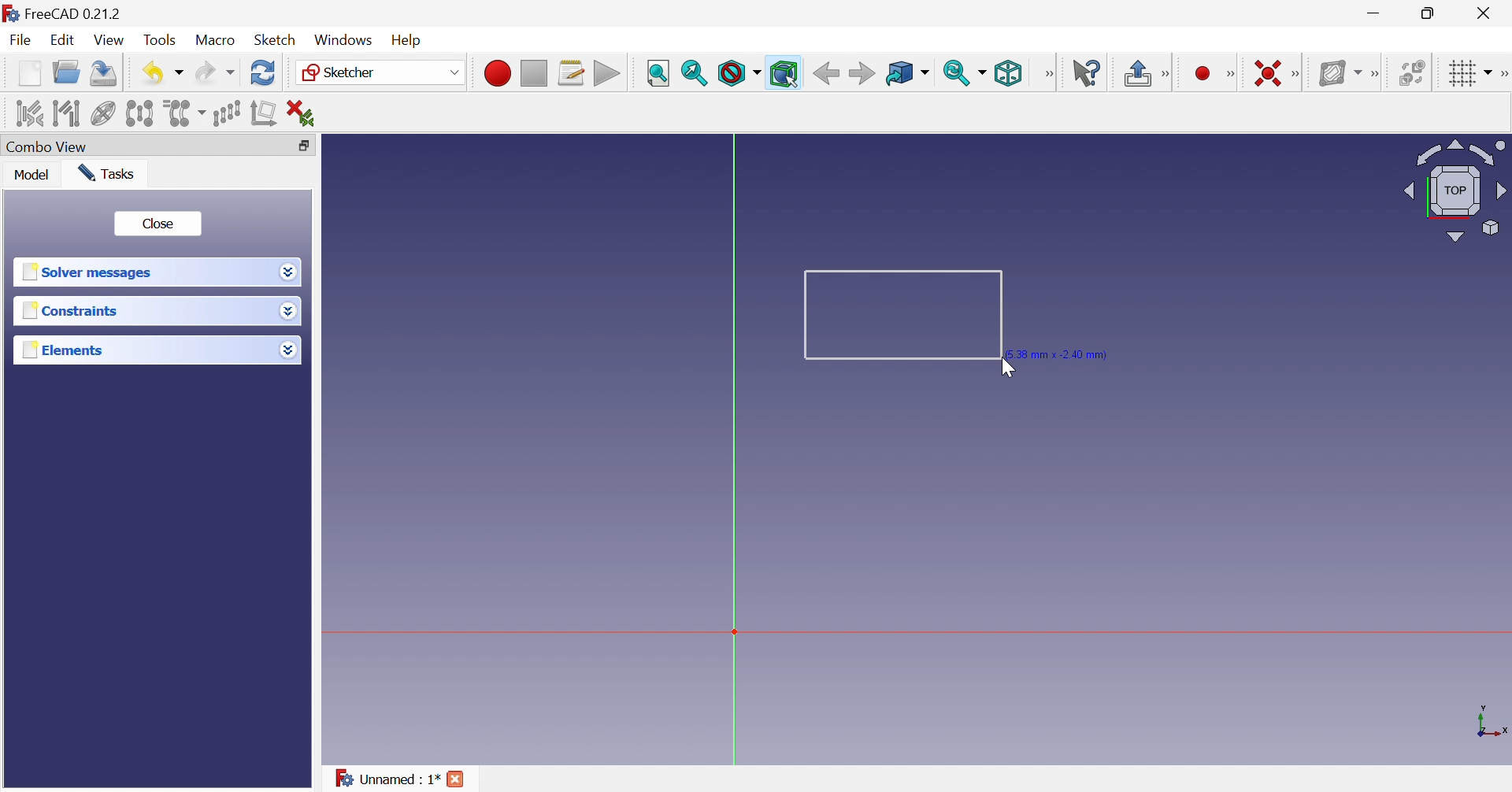 This screenshot has width=1512, height=792. What do you see at coordinates (607, 74) in the screenshot?
I see `Execute macro` at bounding box center [607, 74].